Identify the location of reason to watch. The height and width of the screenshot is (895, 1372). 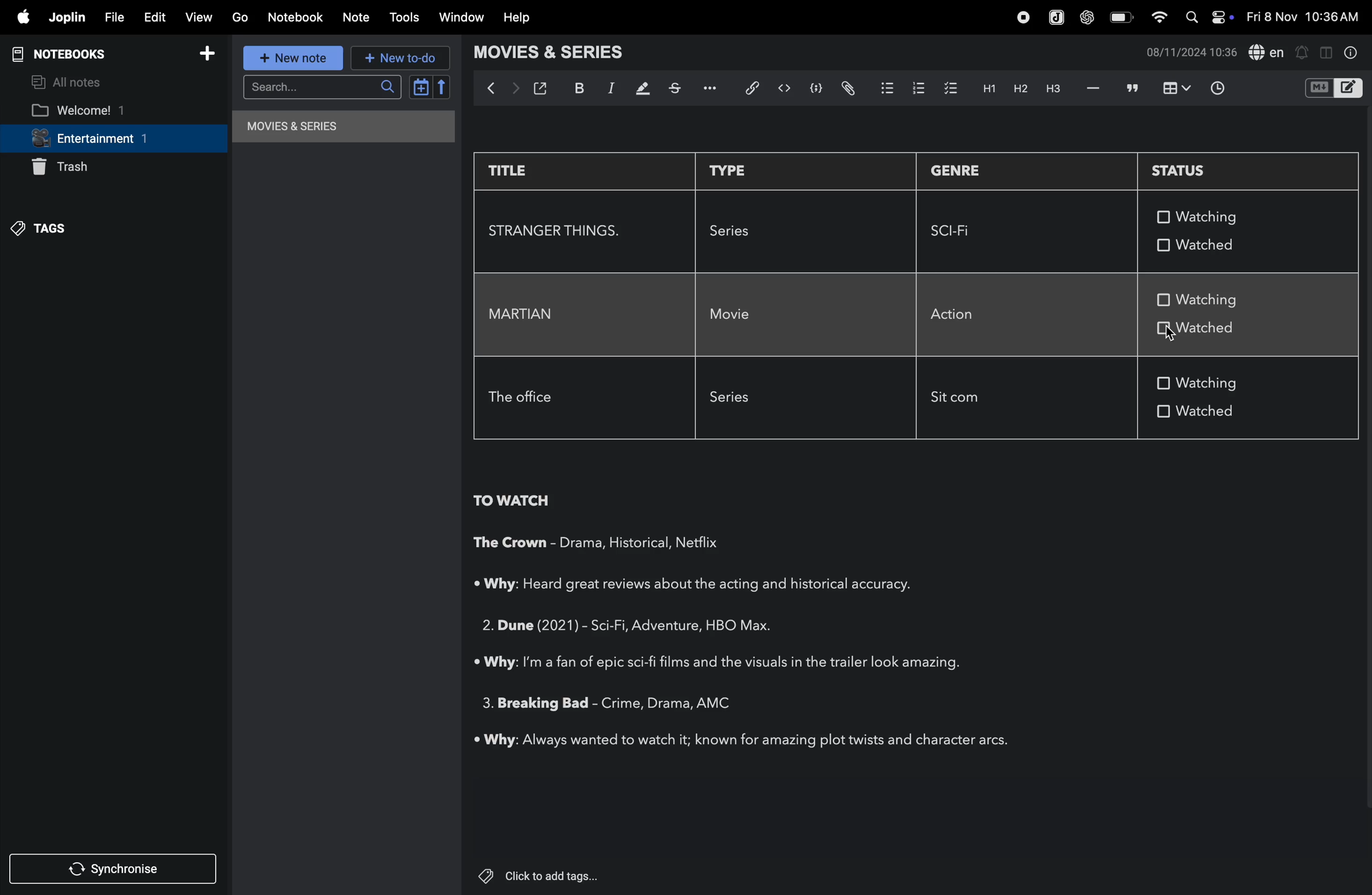
(708, 585).